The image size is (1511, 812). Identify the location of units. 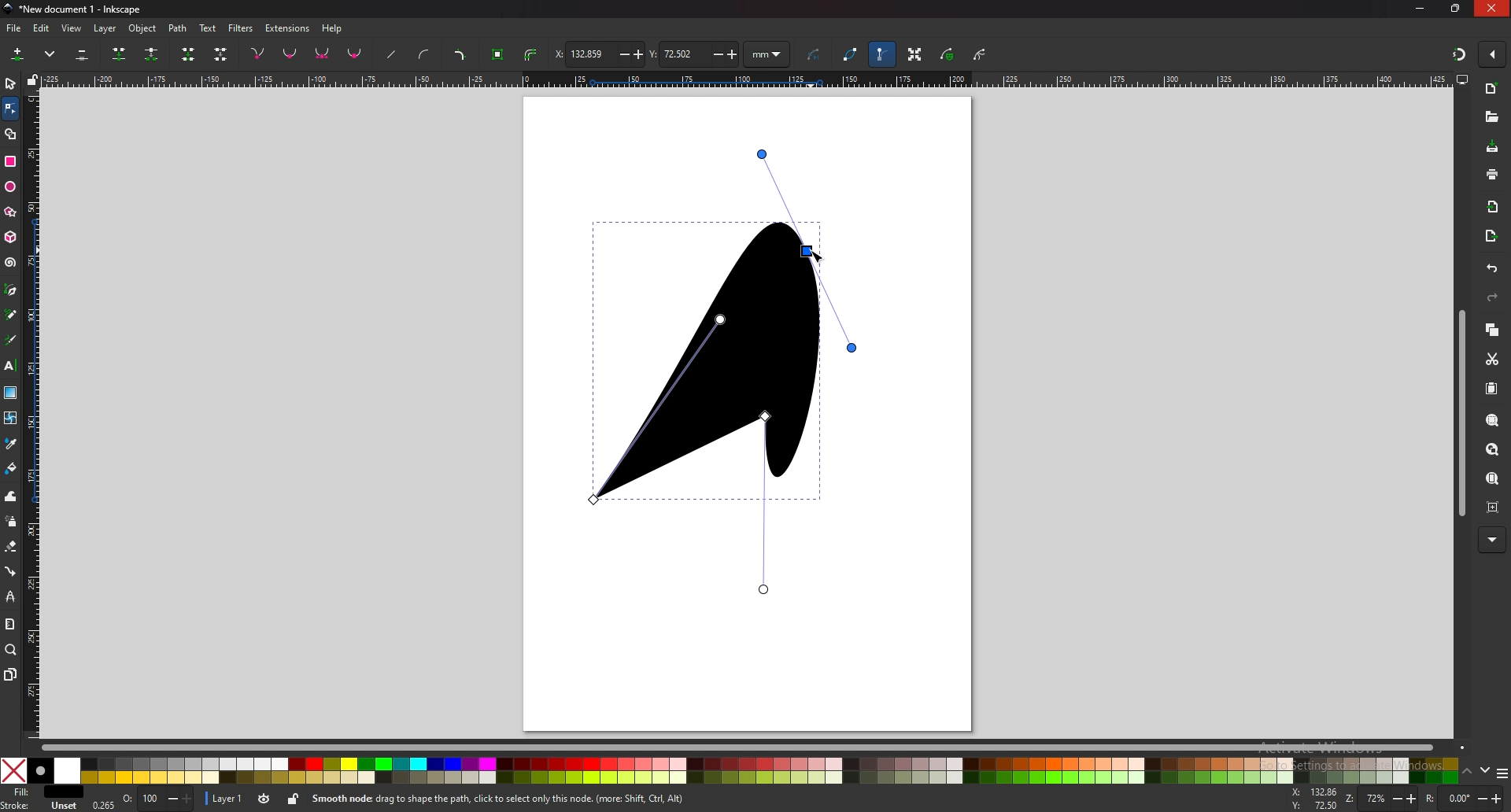
(767, 54).